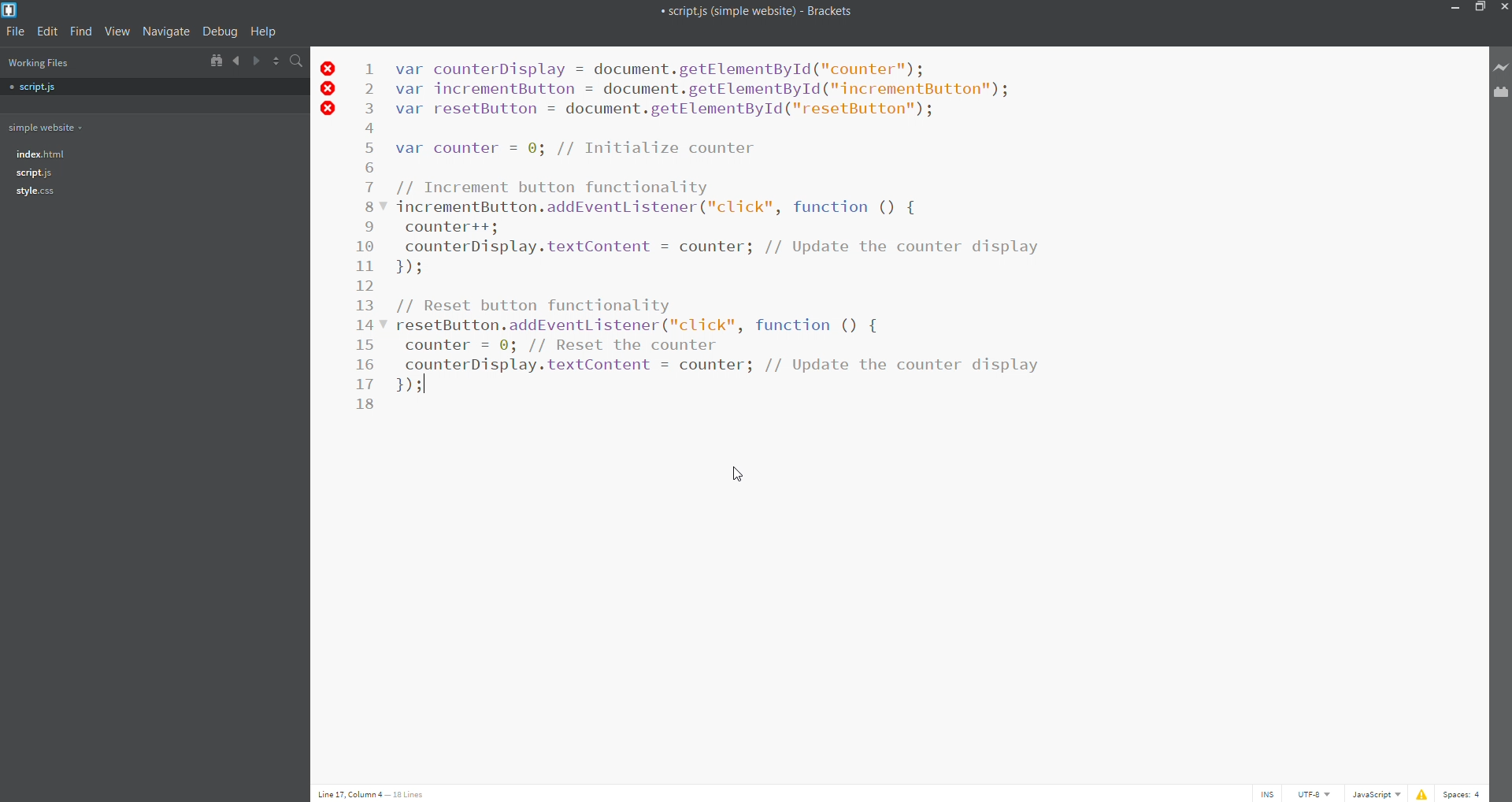  What do you see at coordinates (10, 9) in the screenshot?
I see `brackets` at bounding box center [10, 9].